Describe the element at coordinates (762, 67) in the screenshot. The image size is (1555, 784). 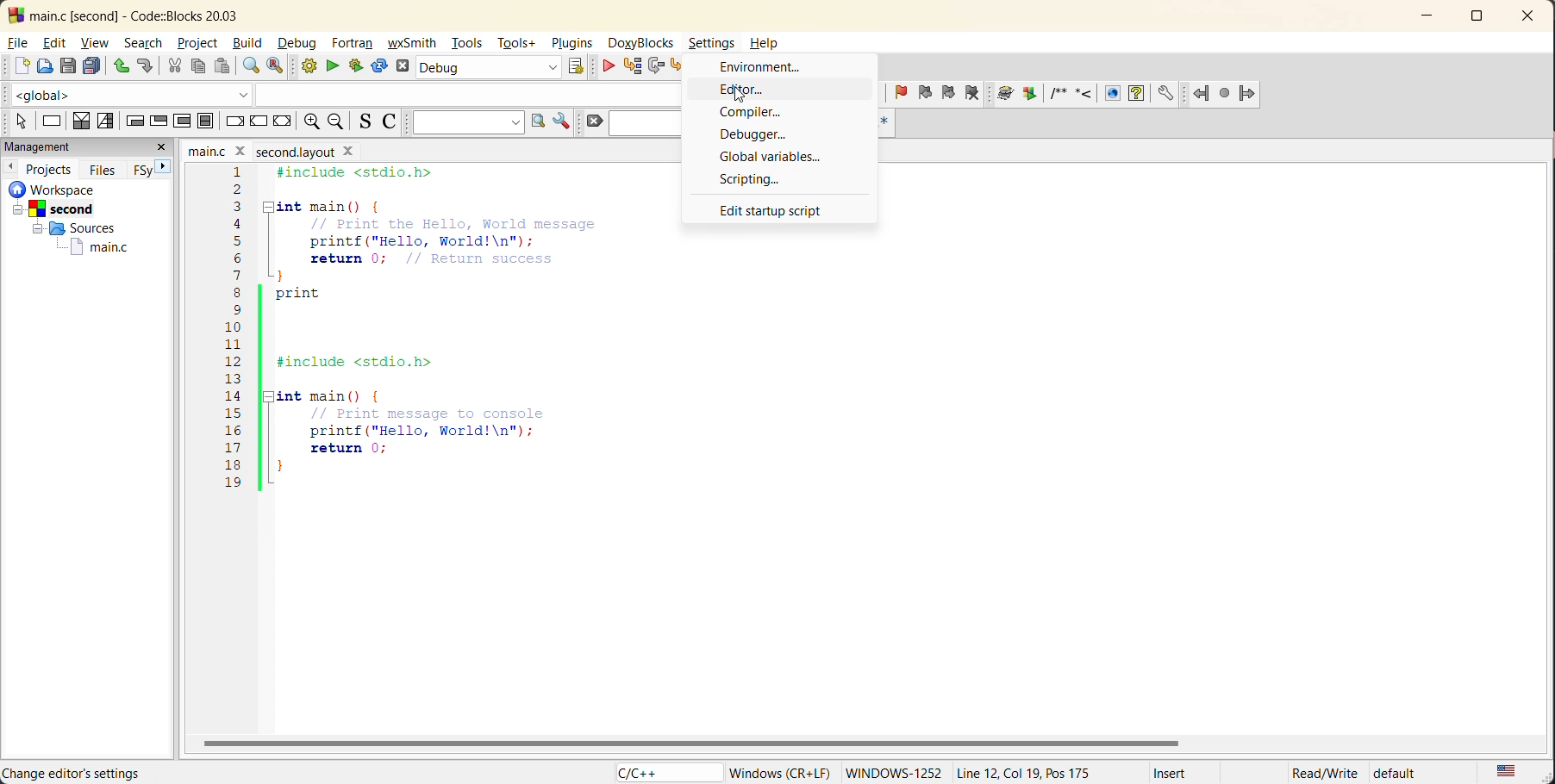
I see `environment` at that location.